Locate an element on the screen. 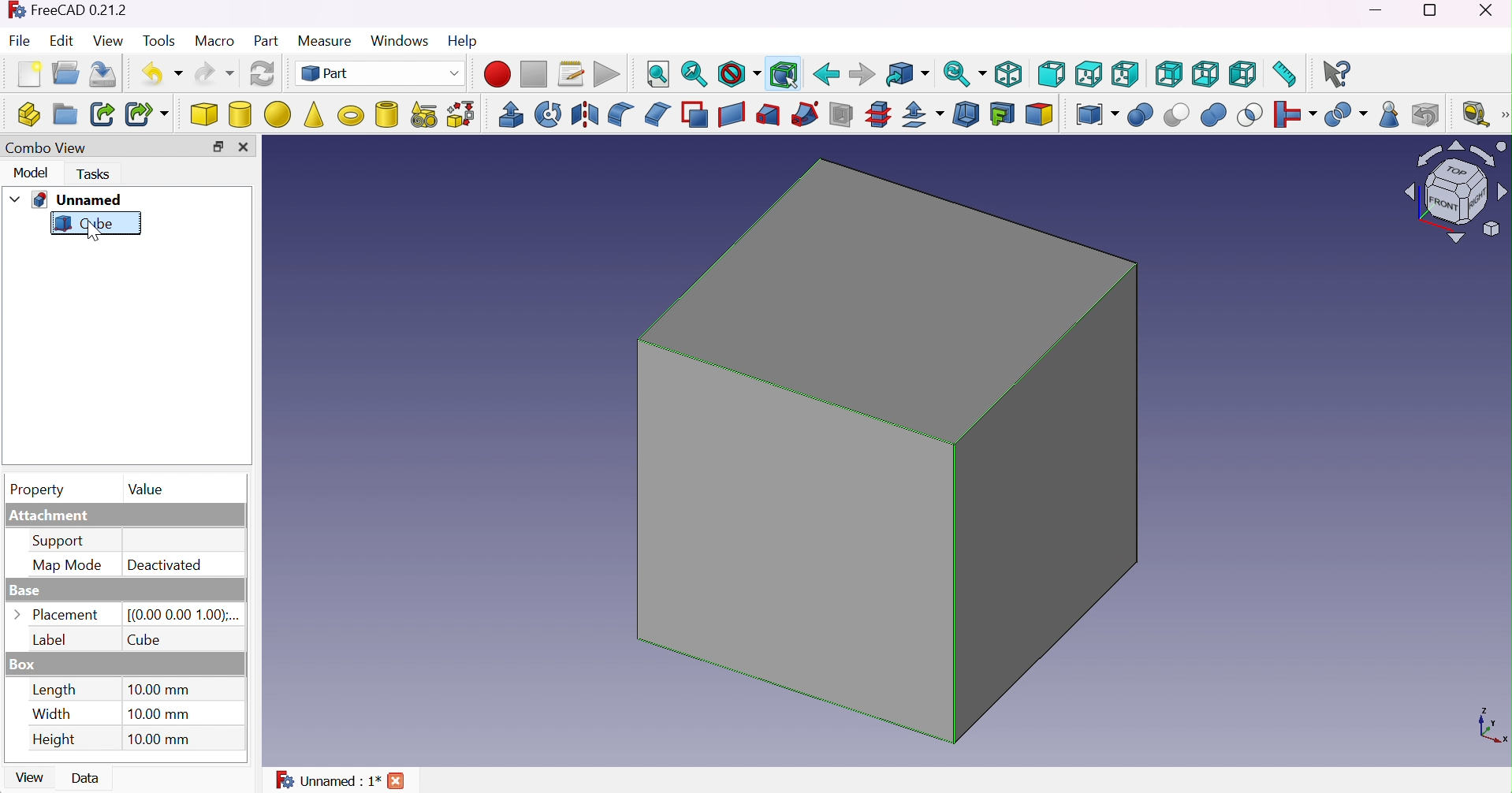 This screenshot has height=793, width=1512. Sphere is located at coordinates (277, 116).